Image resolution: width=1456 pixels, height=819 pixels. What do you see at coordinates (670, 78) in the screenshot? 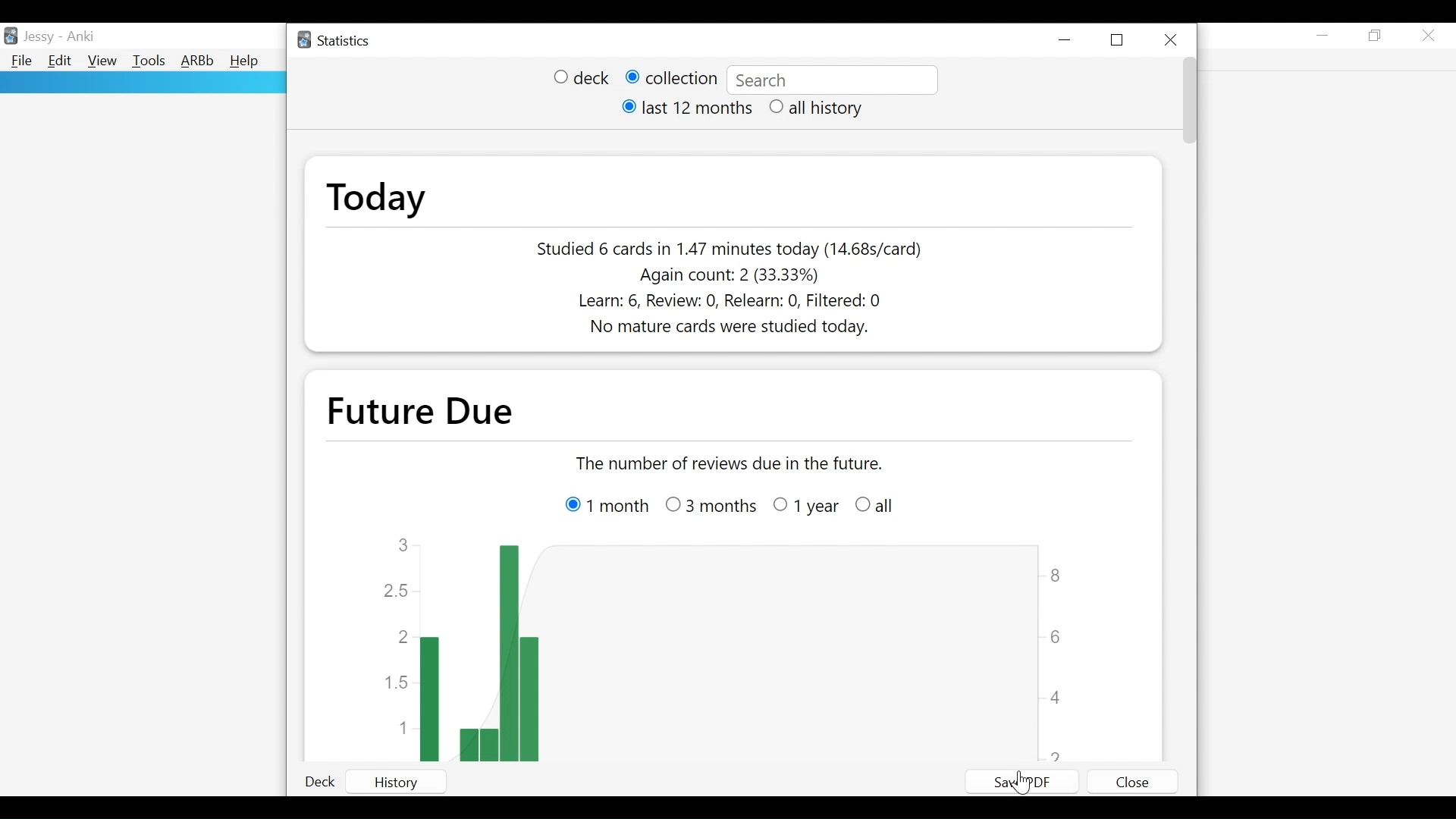
I see `(un) select collection` at bounding box center [670, 78].